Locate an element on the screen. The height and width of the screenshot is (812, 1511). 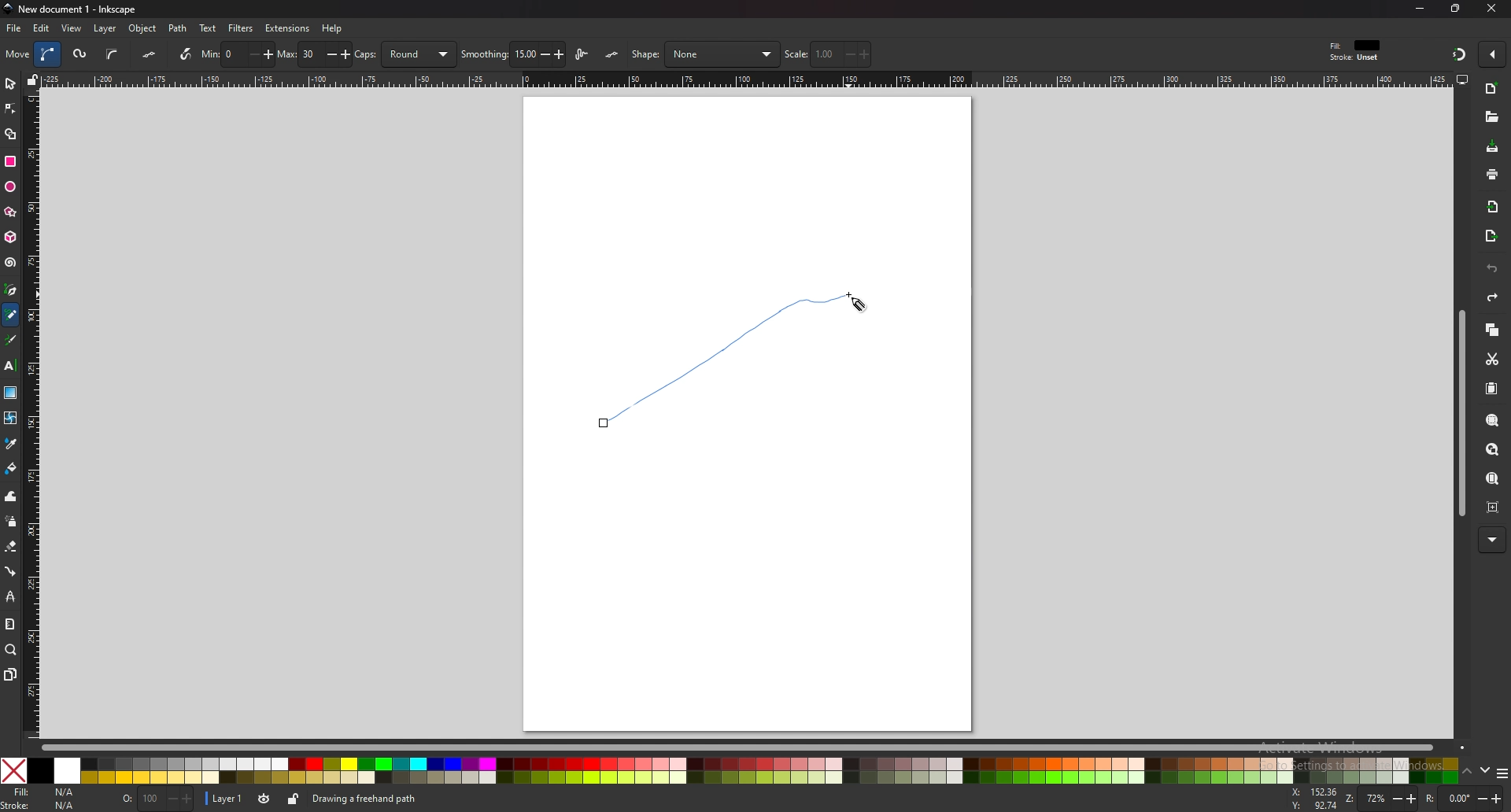
help is located at coordinates (333, 28).